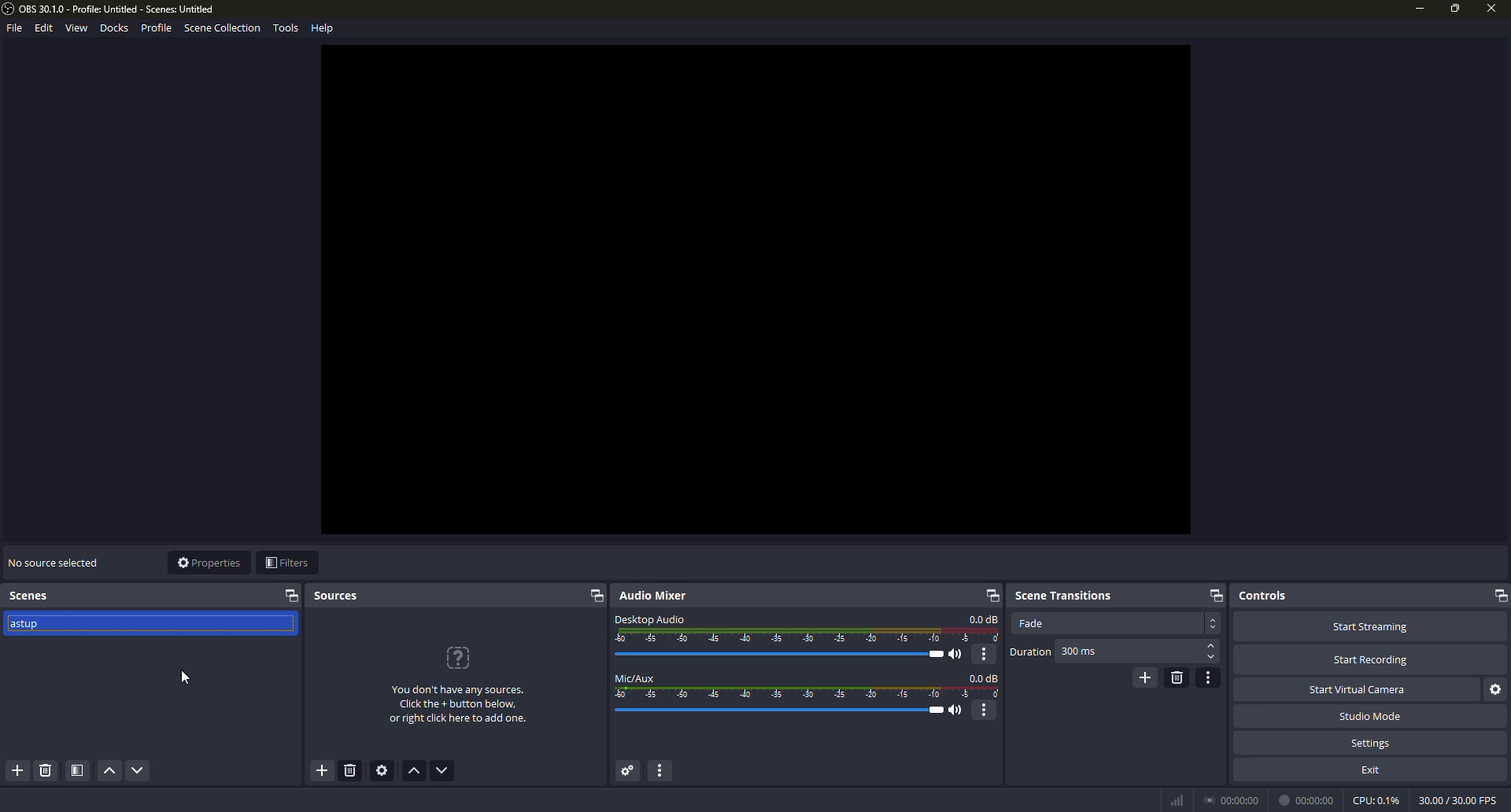 This screenshot has width=1511, height=812. Describe the element at coordinates (78, 771) in the screenshot. I see `open scene filters` at that location.